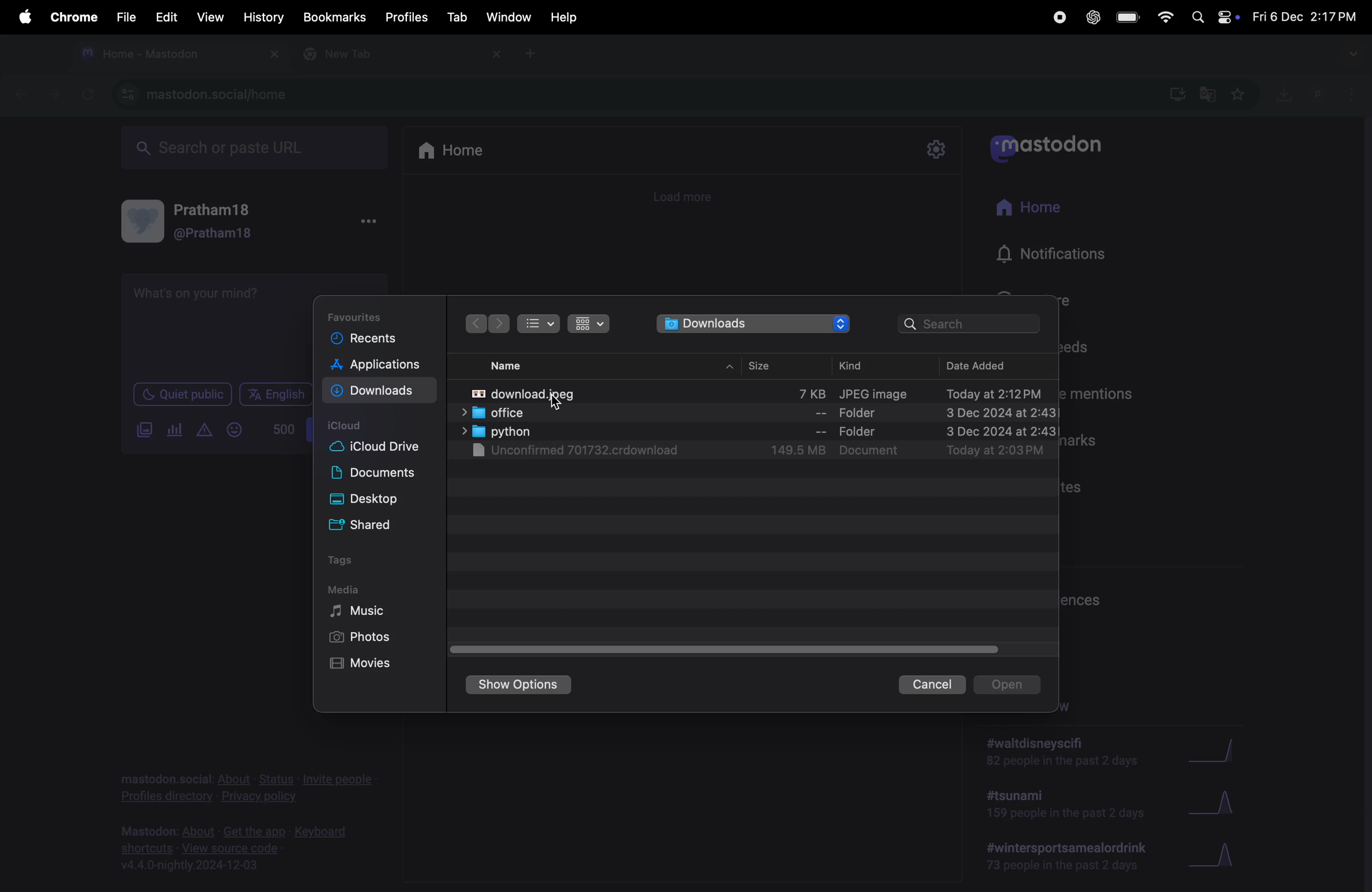 The image size is (1372, 892). Describe the element at coordinates (126, 18) in the screenshot. I see `file` at that location.